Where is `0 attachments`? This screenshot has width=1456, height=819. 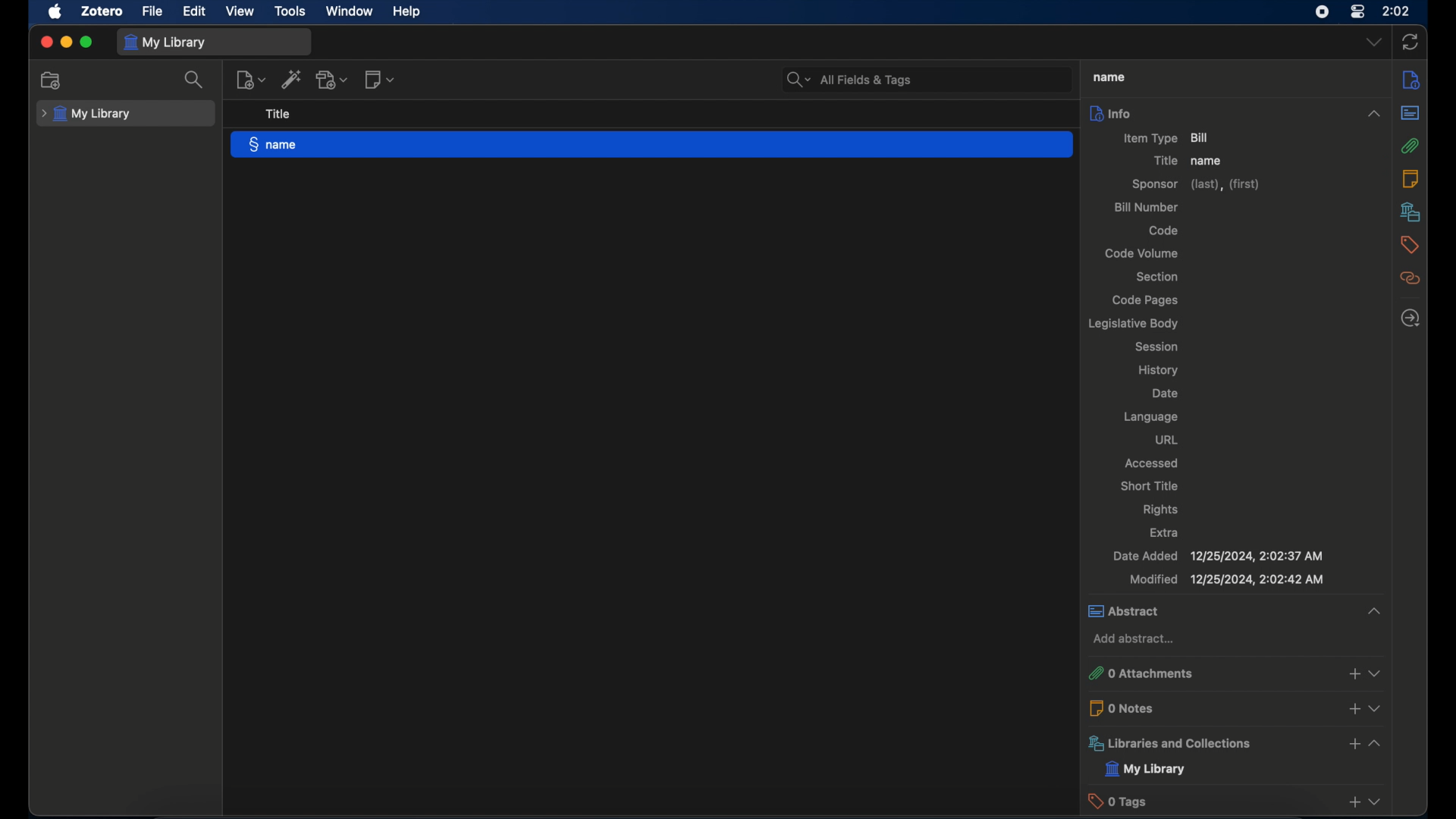 0 attachments is located at coordinates (1233, 673).